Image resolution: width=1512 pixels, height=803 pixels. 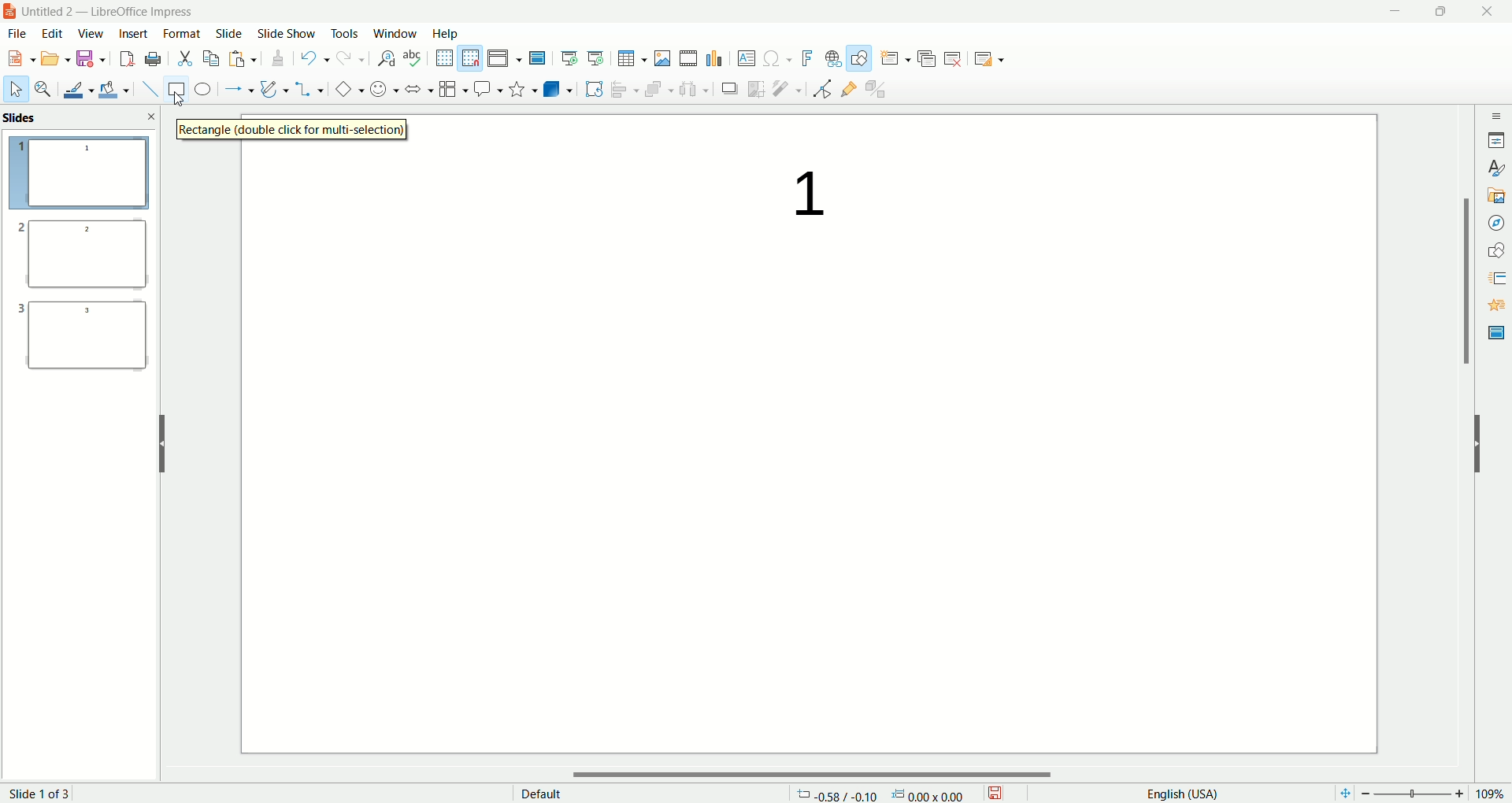 What do you see at coordinates (202, 91) in the screenshot?
I see `ellipse` at bounding box center [202, 91].